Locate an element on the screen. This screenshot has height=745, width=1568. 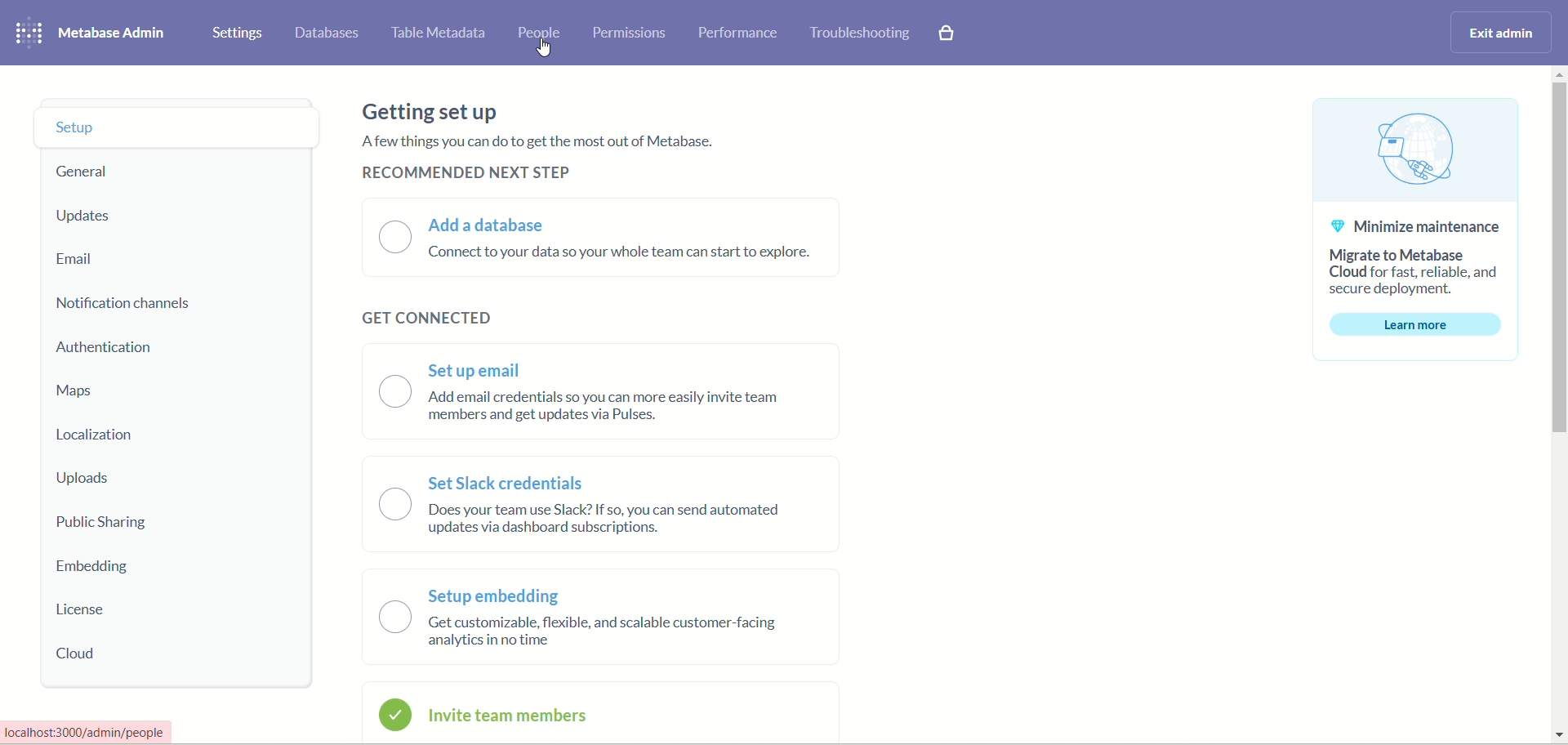
cloud is located at coordinates (80, 655).